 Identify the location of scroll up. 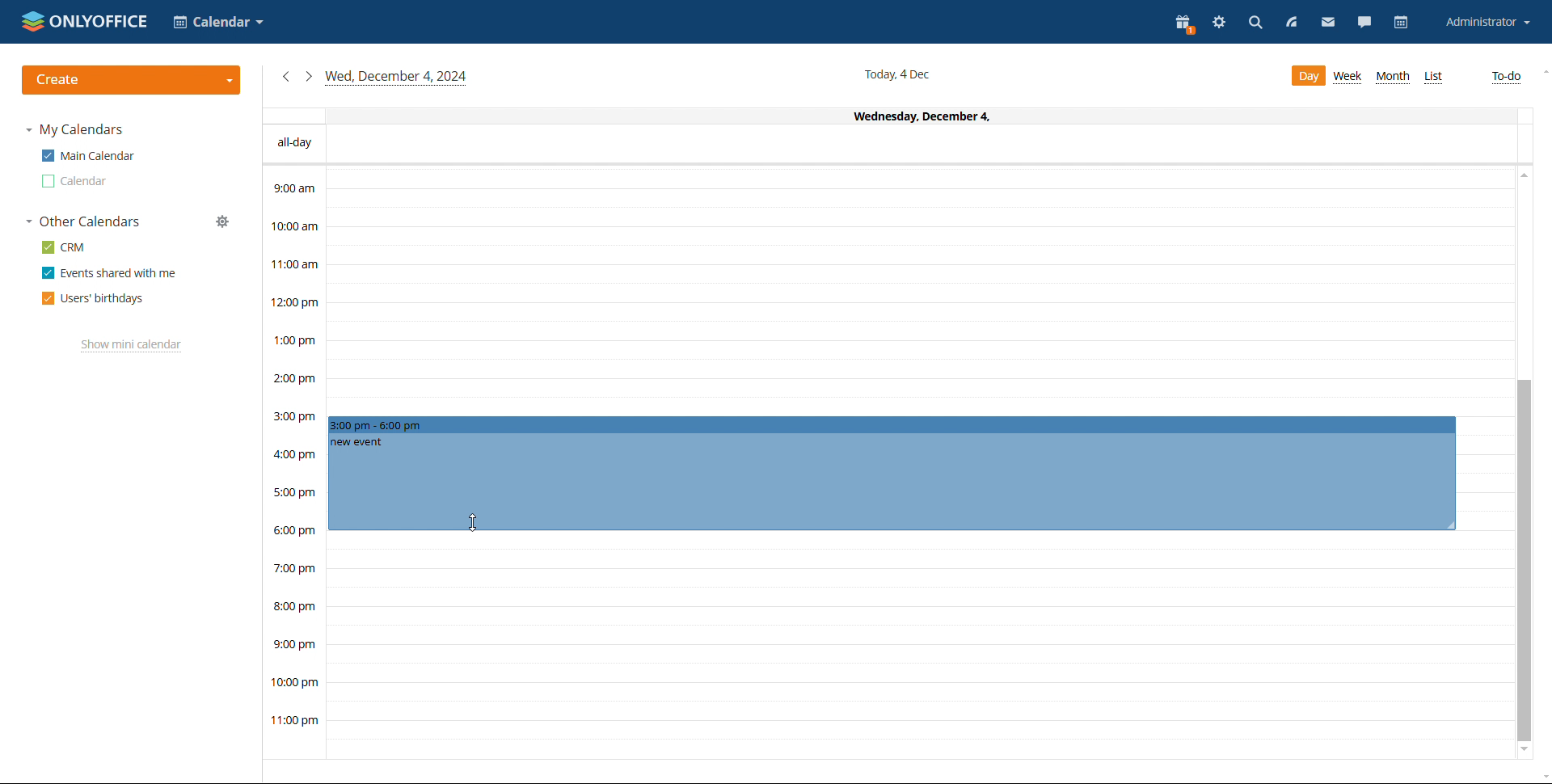
(1542, 73).